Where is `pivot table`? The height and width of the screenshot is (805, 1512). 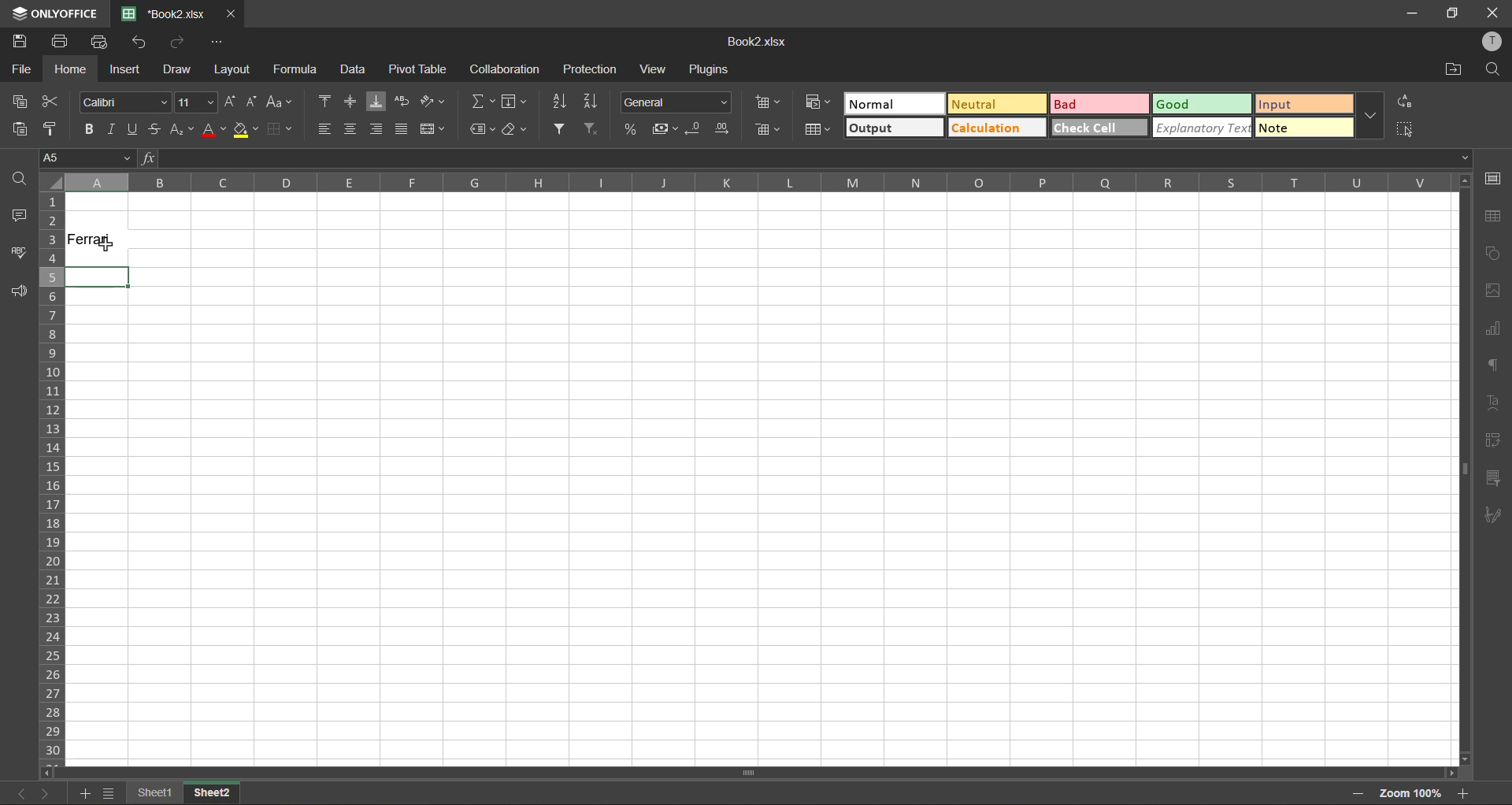 pivot table is located at coordinates (421, 69).